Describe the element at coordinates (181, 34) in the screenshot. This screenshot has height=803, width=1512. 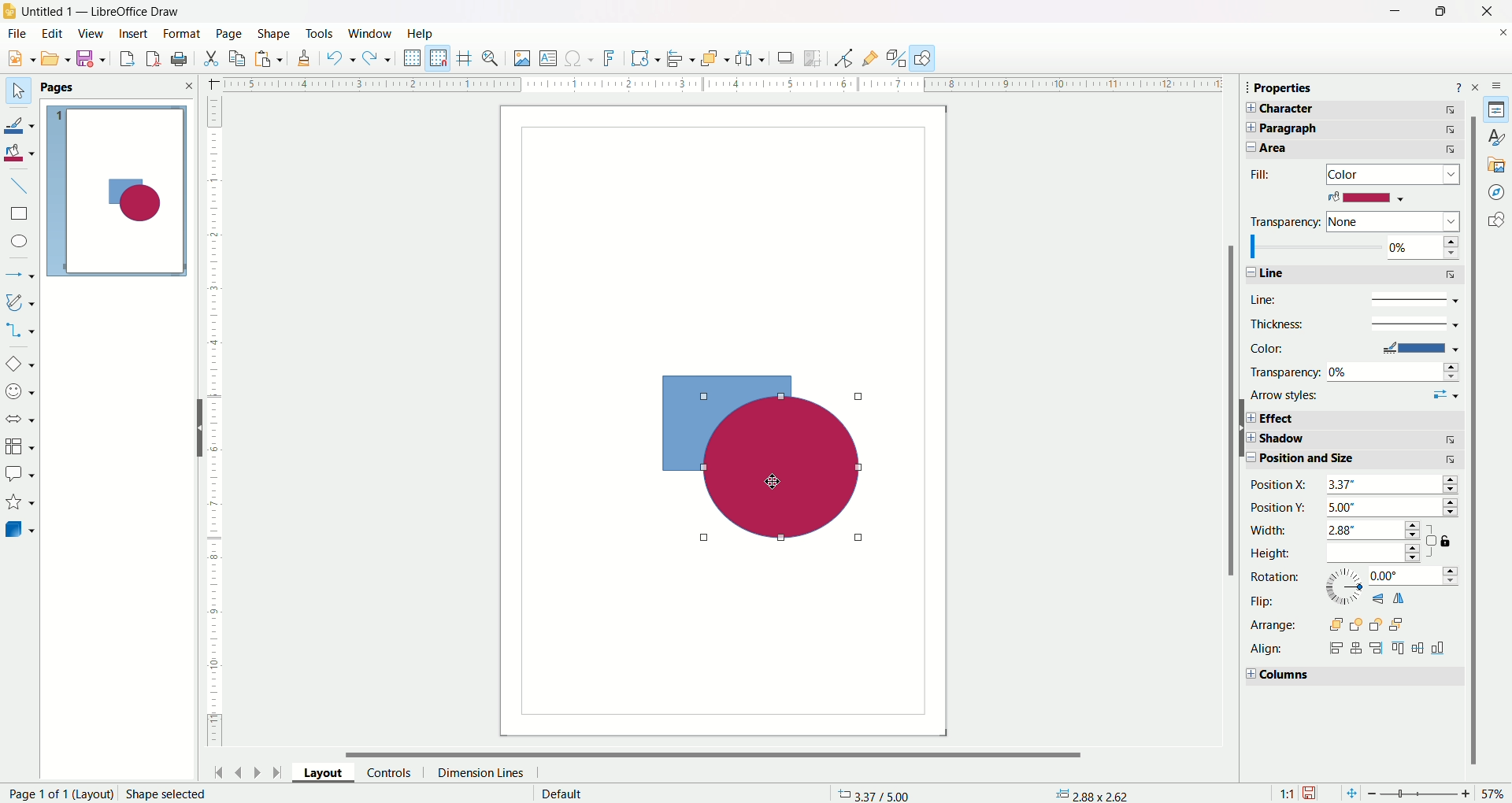
I see `format` at that location.